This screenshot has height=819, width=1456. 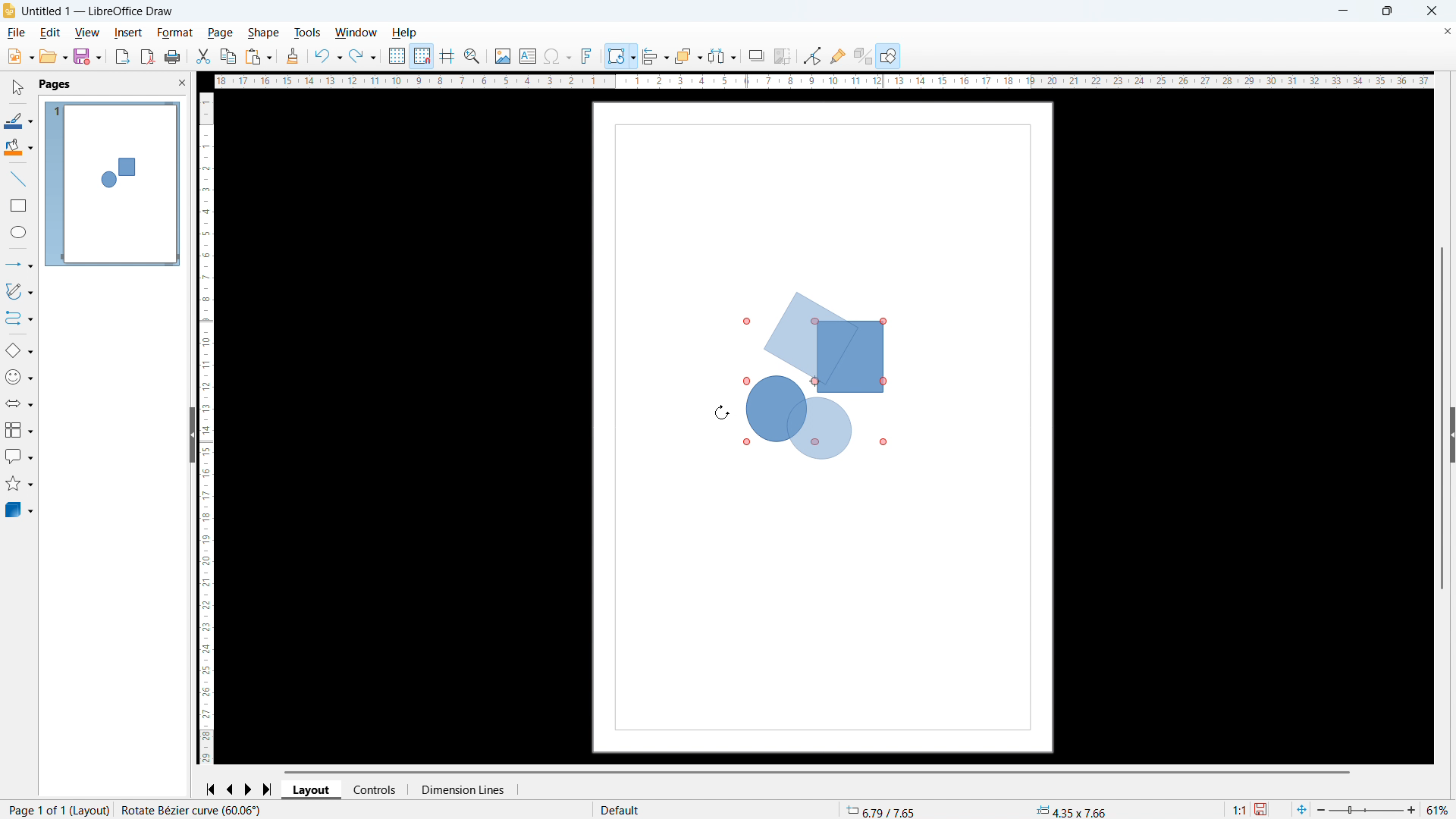 I want to click on Zoom slider , so click(x=1365, y=809).